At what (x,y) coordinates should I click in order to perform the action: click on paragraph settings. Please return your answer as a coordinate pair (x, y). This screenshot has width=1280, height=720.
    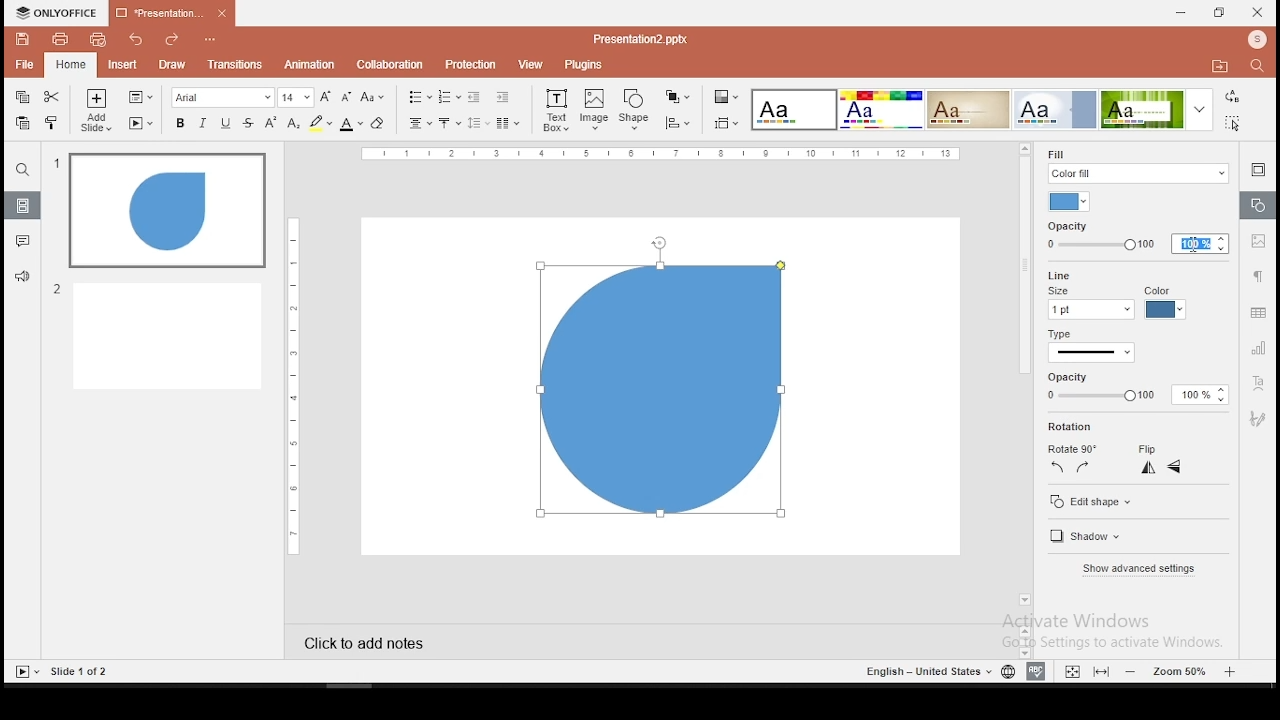
    Looking at the image, I should click on (1258, 276).